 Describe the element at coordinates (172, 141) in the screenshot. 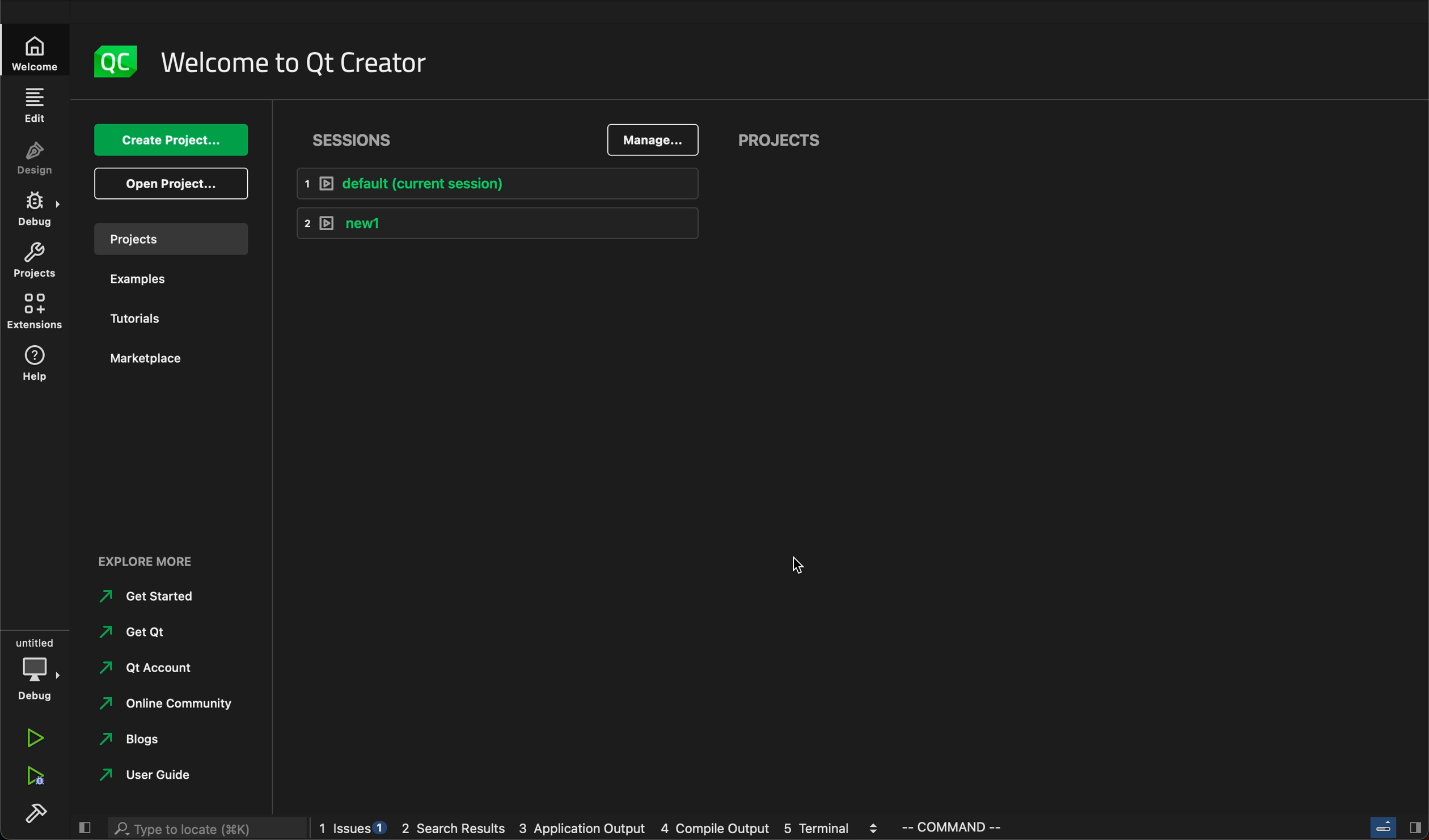

I see `create` at that location.